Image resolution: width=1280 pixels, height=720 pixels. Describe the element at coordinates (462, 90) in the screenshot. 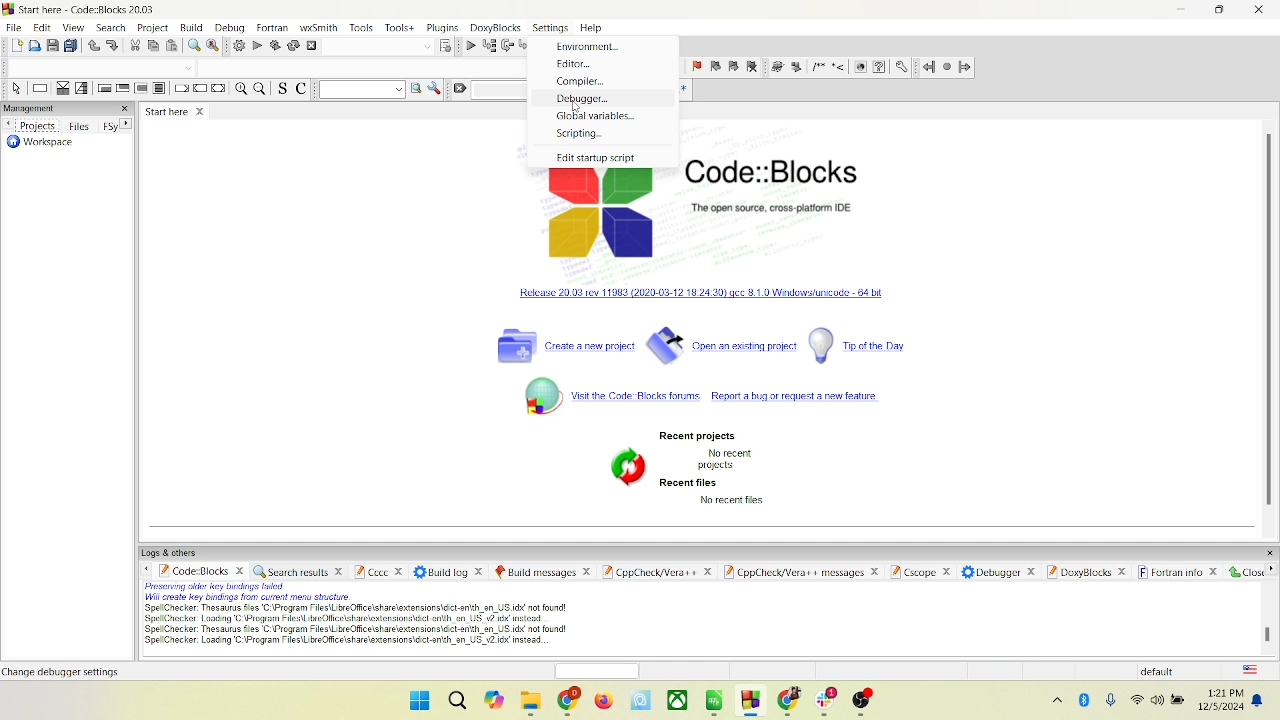

I see `clear` at that location.